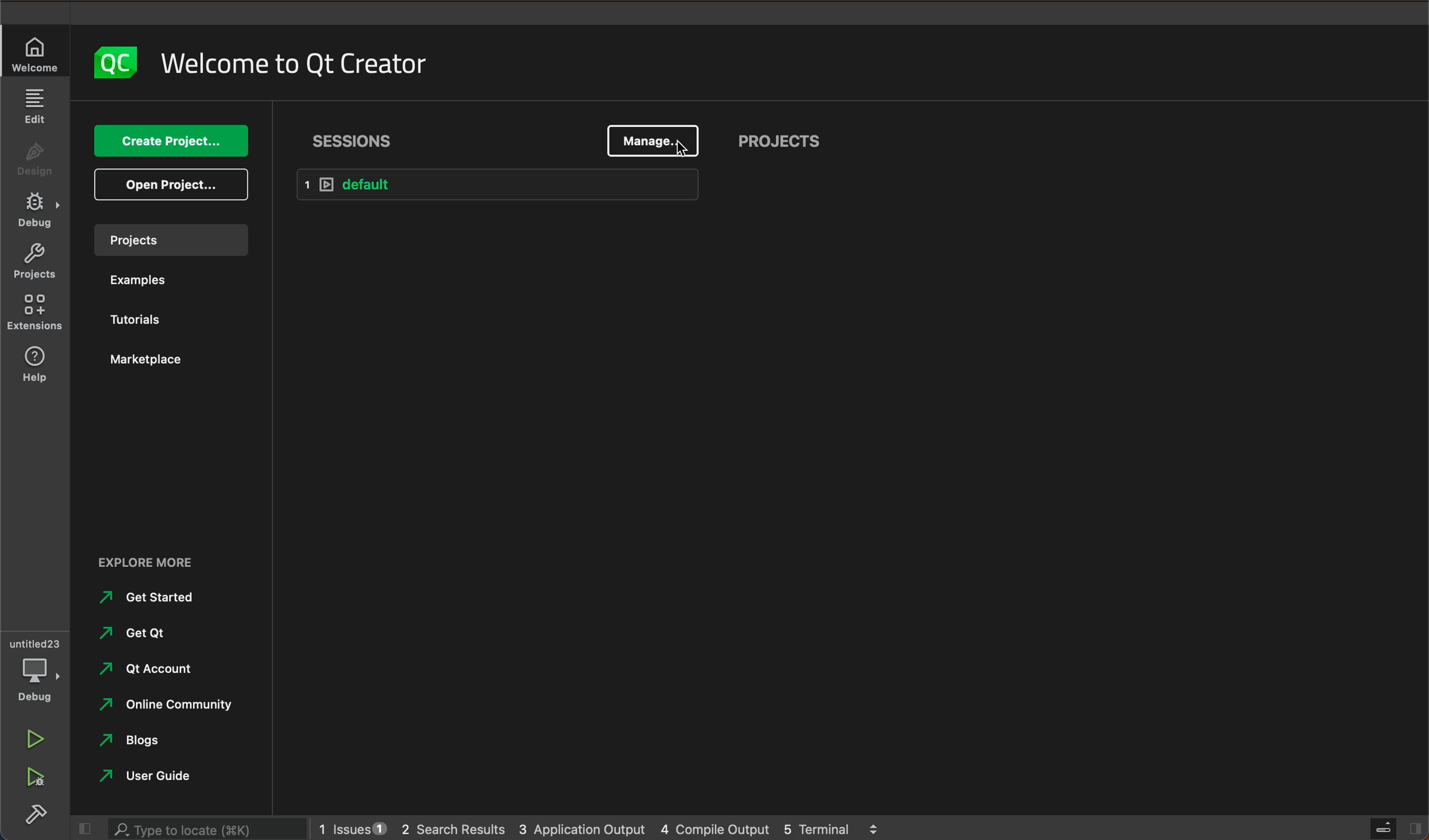 The height and width of the screenshot is (840, 1429). Describe the element at coordinates (150, 775) in the screenshot. I see `user guide` at that location.